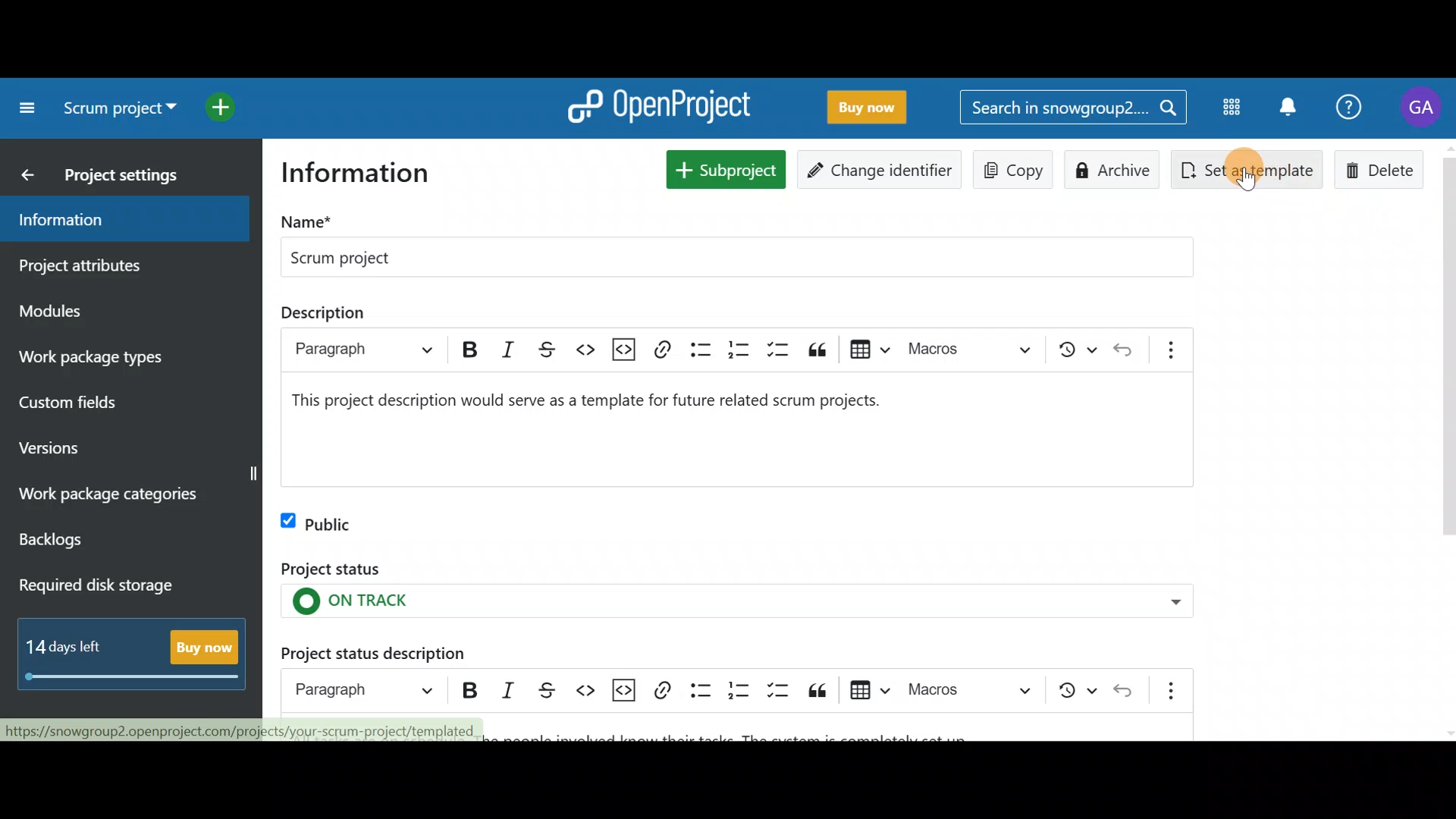 This screenshot has width=1456, height=819. What do you see at coordinates (1166, 690) in the screenshot?
I see `Show more items` at bounding box center [1166, 690].